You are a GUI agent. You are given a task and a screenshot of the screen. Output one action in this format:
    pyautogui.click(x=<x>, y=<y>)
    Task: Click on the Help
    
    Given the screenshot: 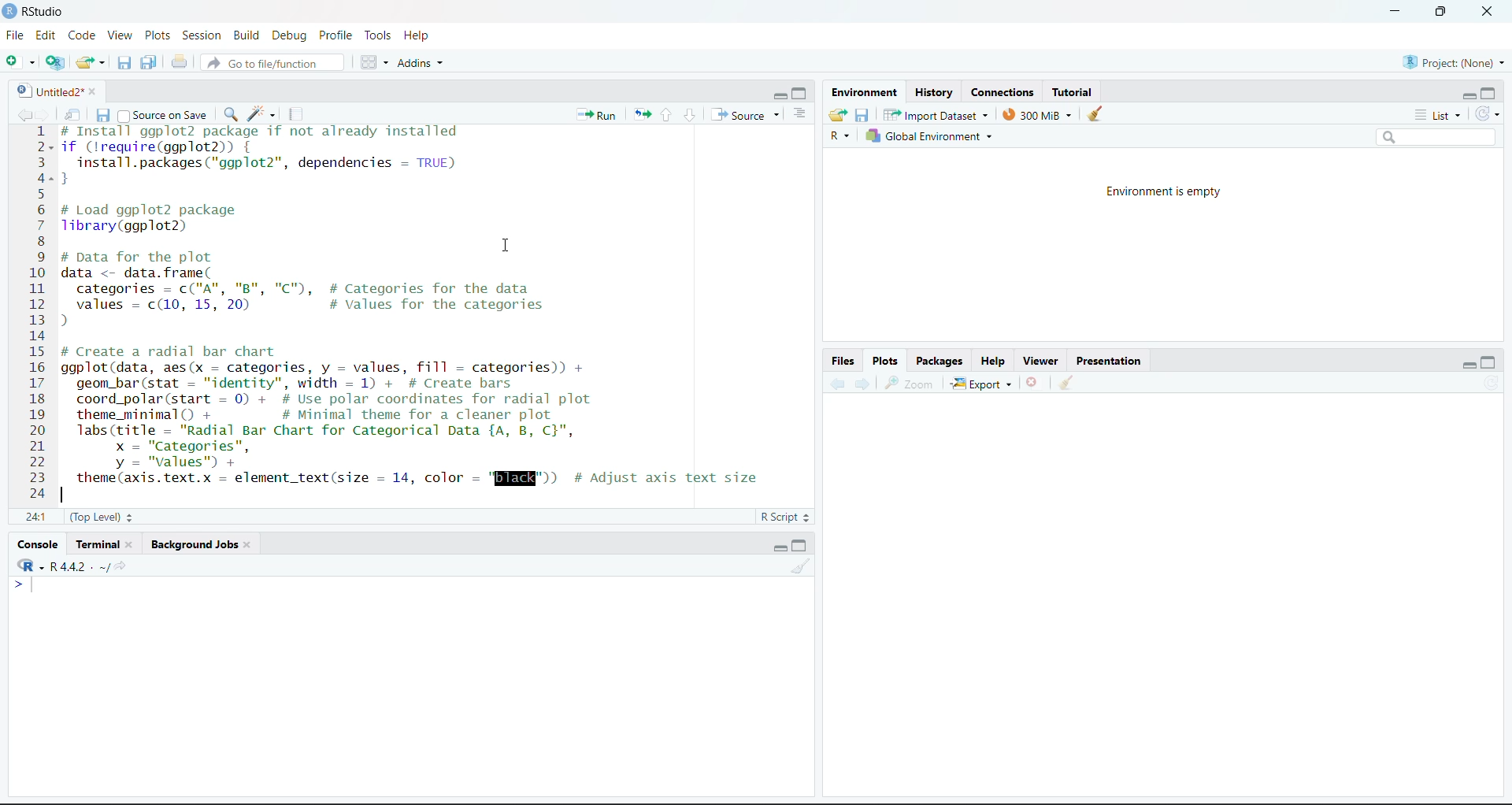 What is the action you would take?
    pyautogui.click(x=996, y=359)
    